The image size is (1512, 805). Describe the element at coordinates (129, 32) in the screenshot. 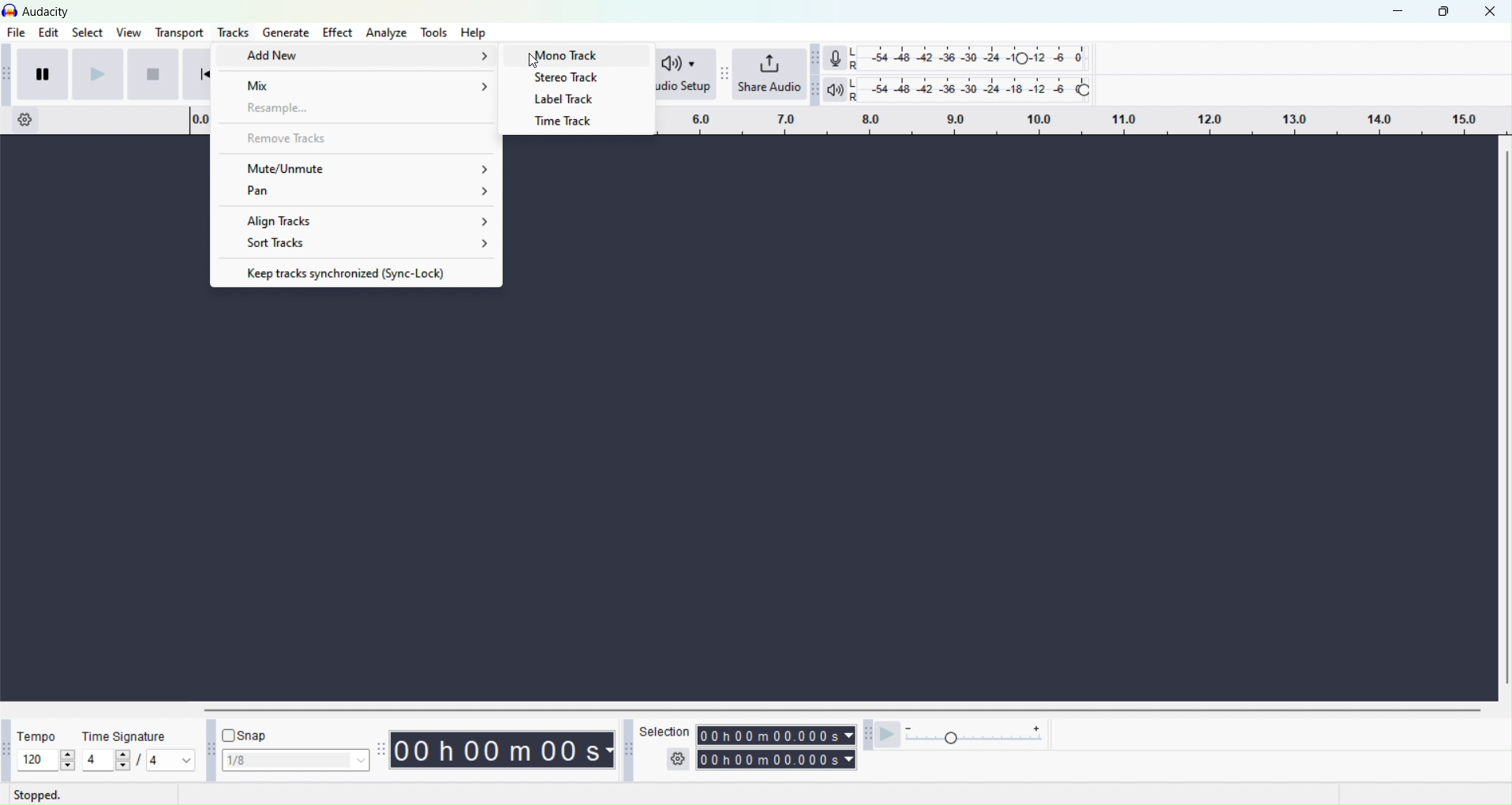

I see `View` at that location.